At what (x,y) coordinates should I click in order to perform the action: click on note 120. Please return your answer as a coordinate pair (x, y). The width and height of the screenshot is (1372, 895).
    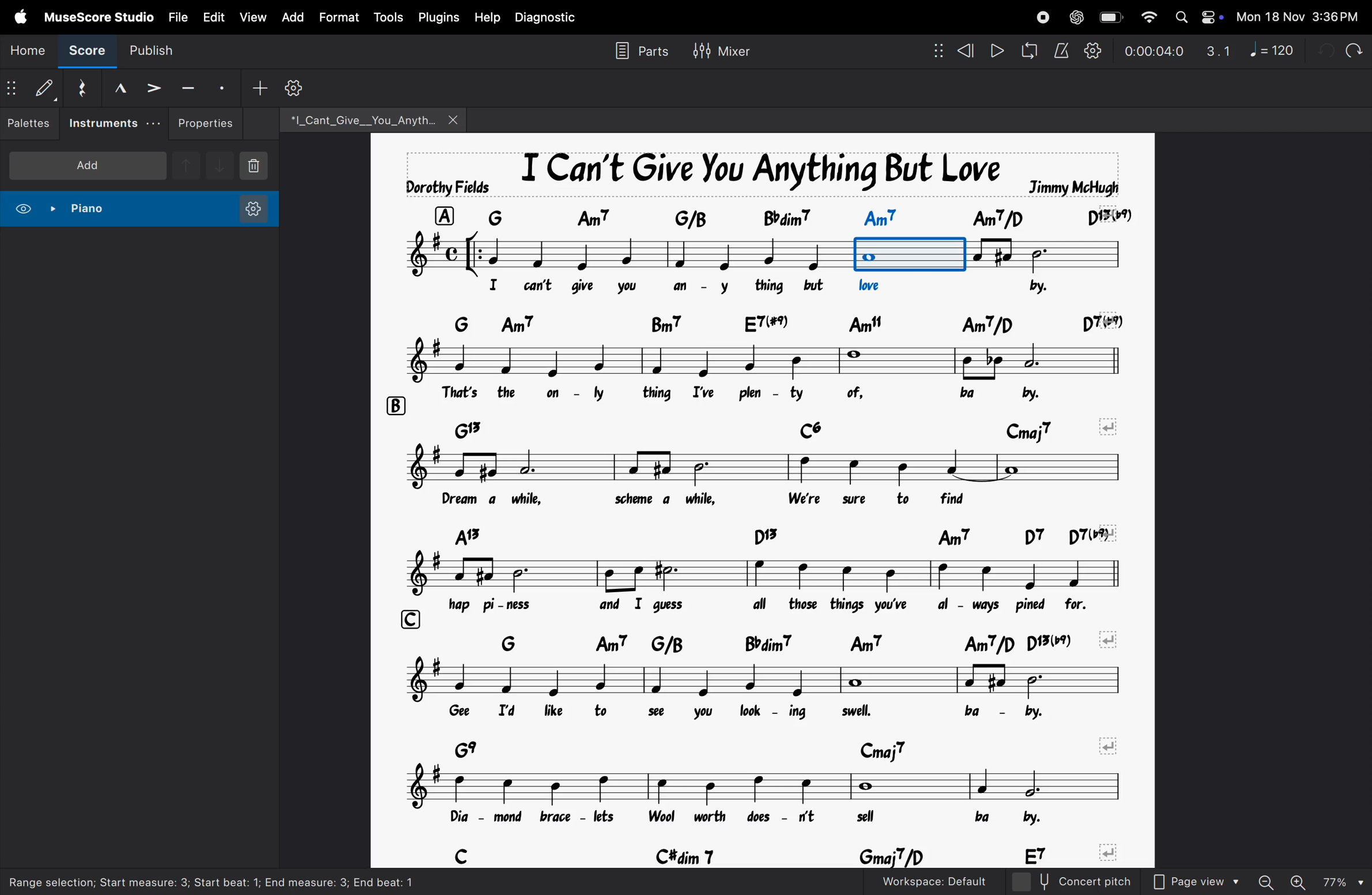
    Looking at the image, I should click on (1269, 48).